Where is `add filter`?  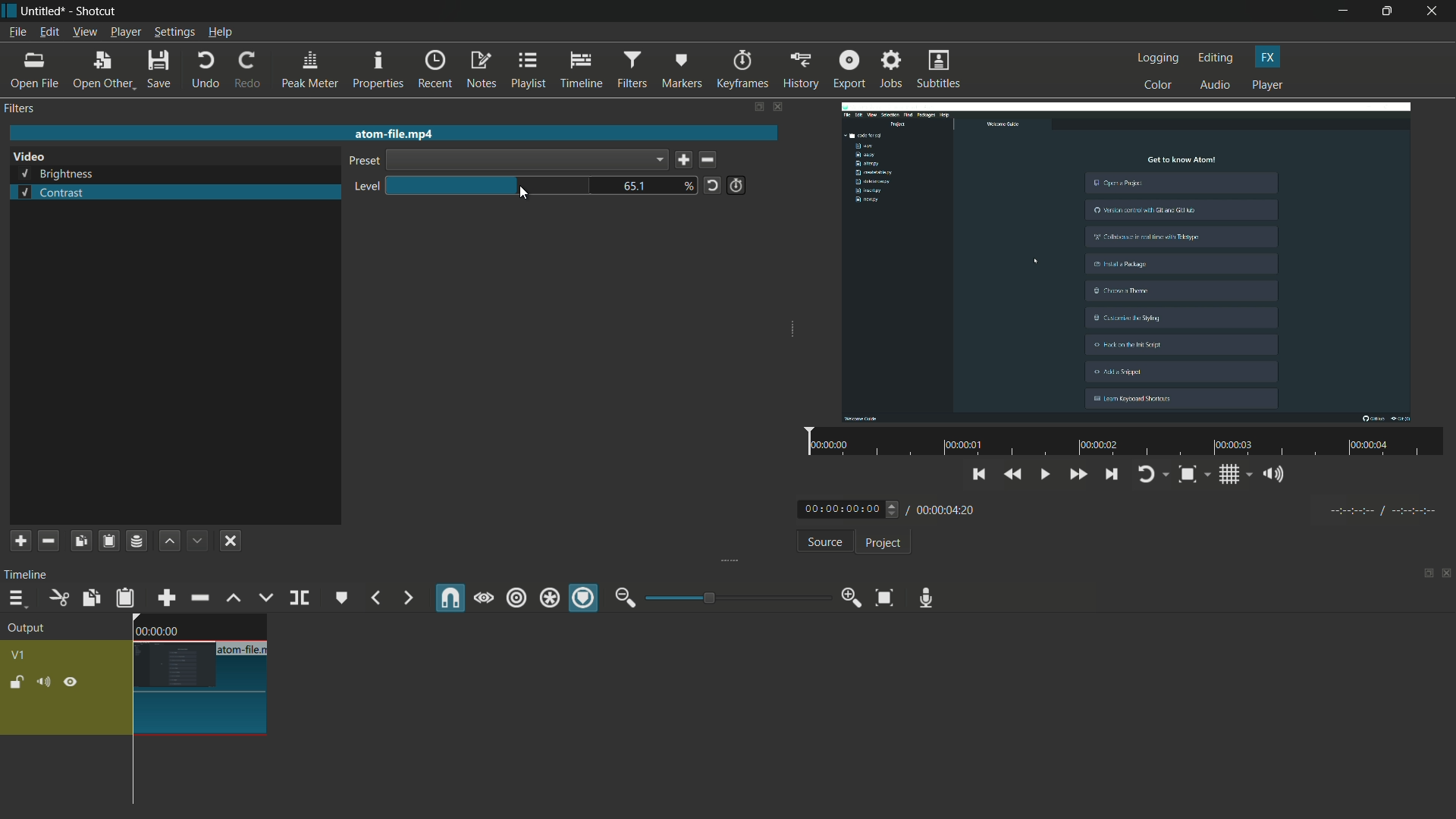
add filter is located at coordinates (20, 541).